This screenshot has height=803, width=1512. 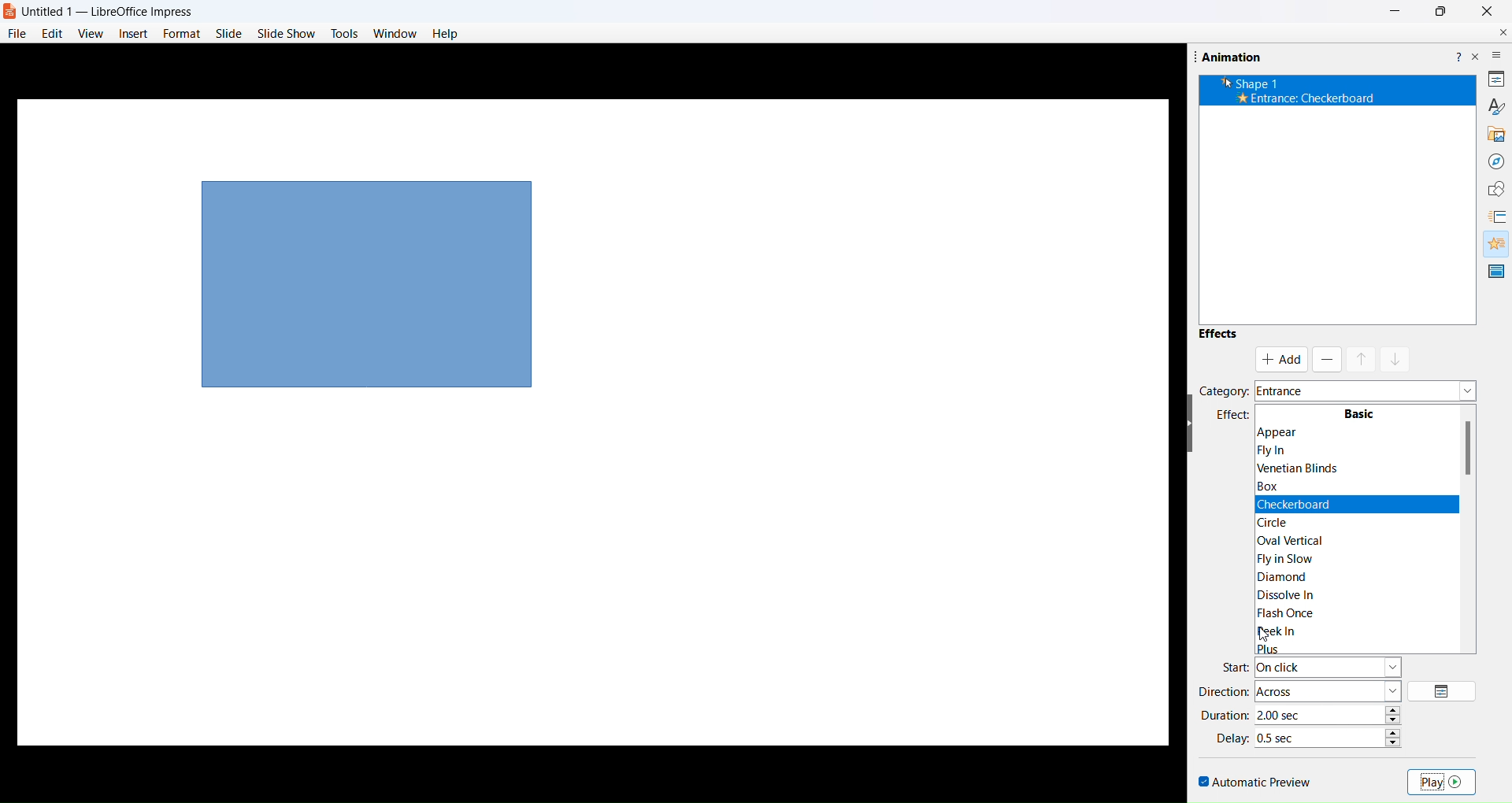 What do you see at coordinates (1332, 667) in the screenshot?
I see `start type` at bounding box center [1332, 667].